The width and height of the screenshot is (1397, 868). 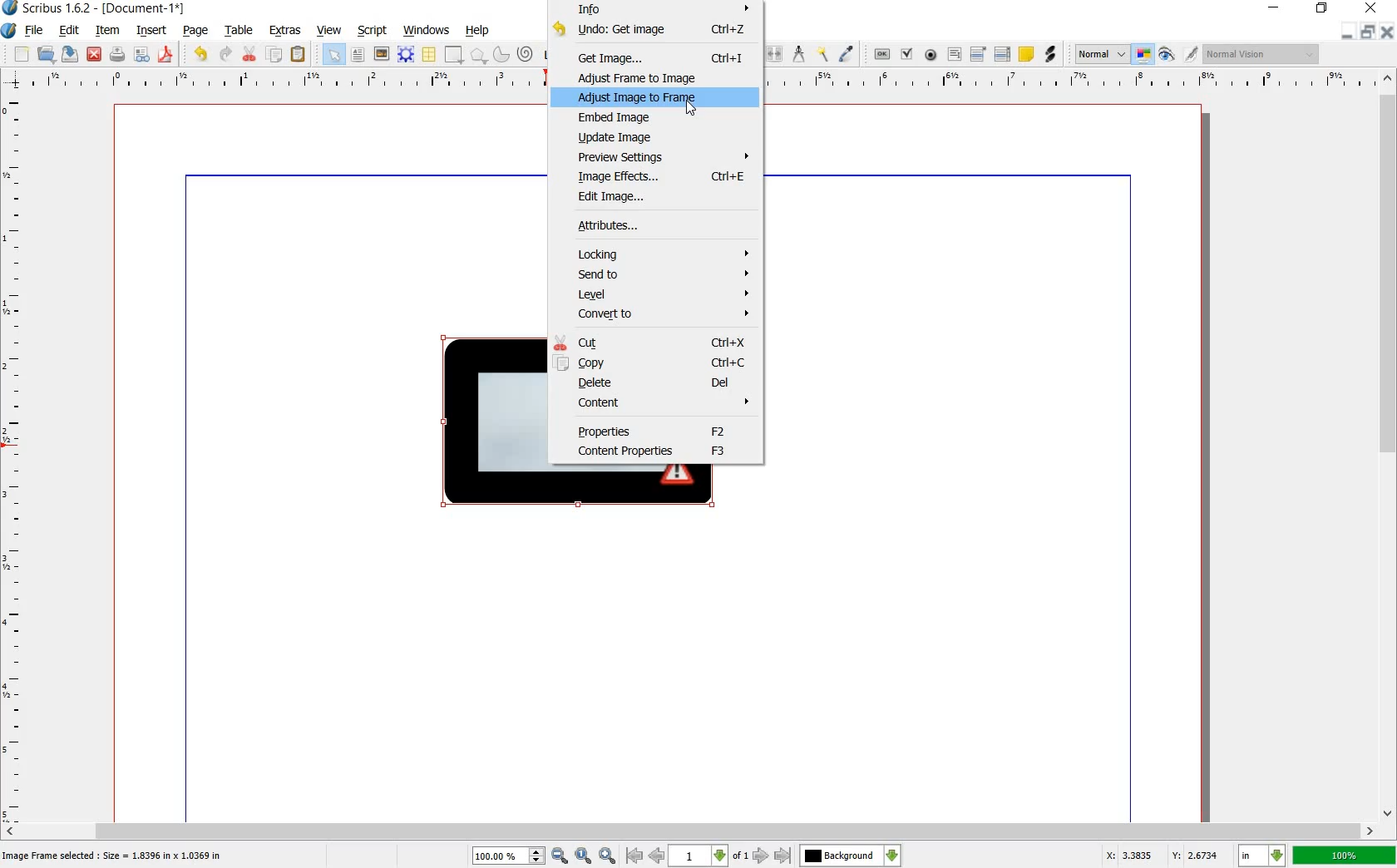 I want to click on polygon, so click(x=478, y=55).